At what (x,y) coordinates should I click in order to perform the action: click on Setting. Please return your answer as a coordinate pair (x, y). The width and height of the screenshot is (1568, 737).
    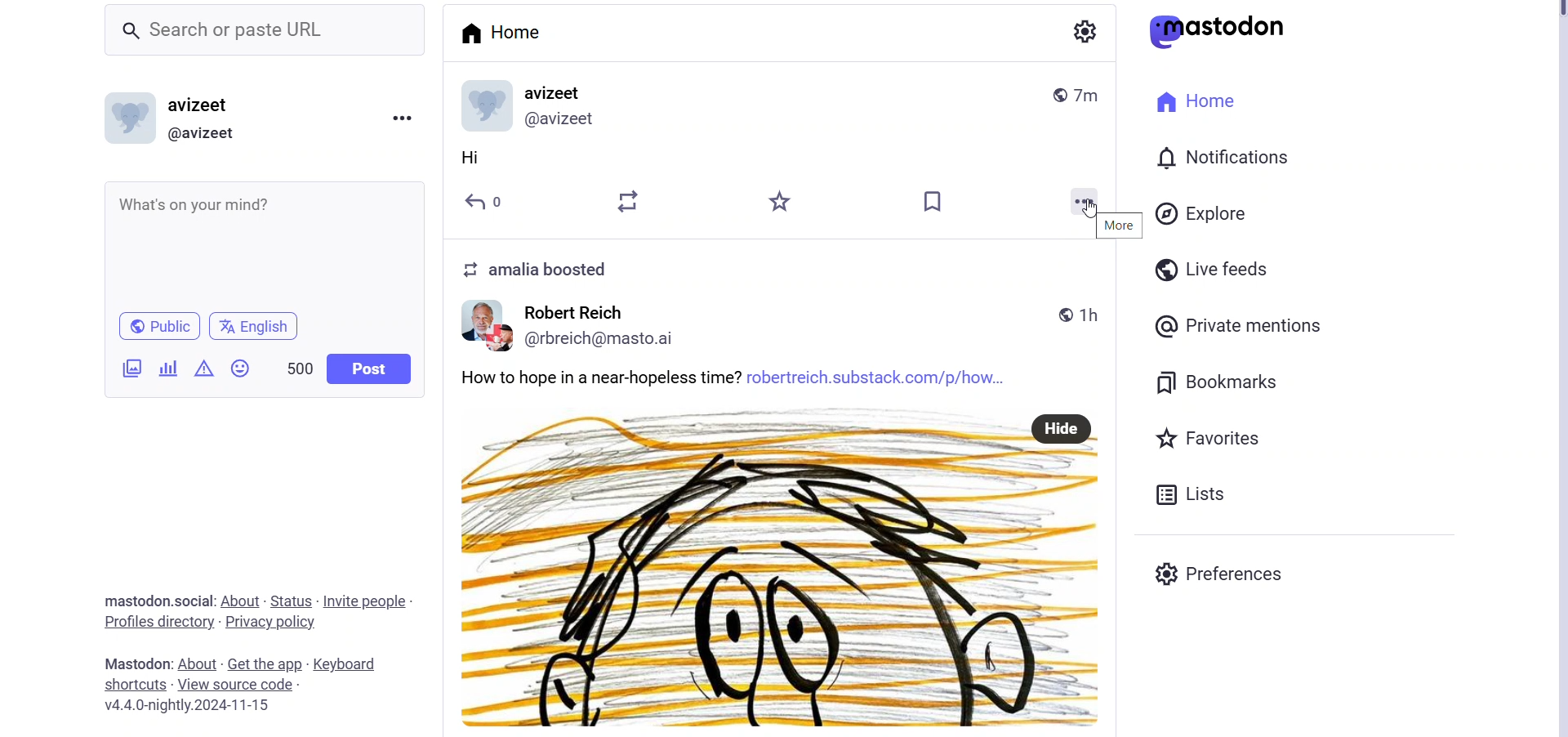
    Looking at the image, I should click on (1082, 30).